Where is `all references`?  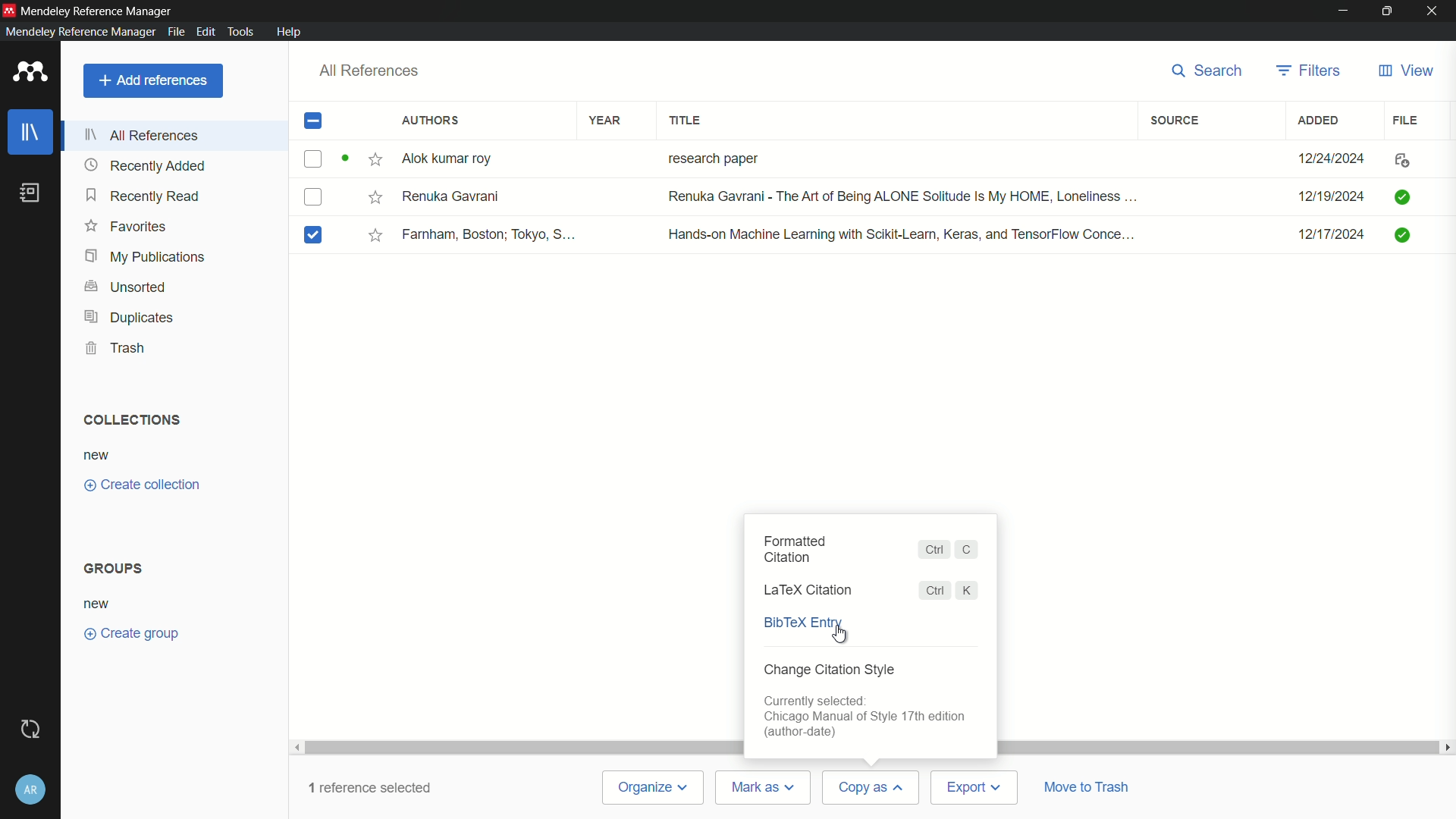
all references is located at coordinates (142, 135).